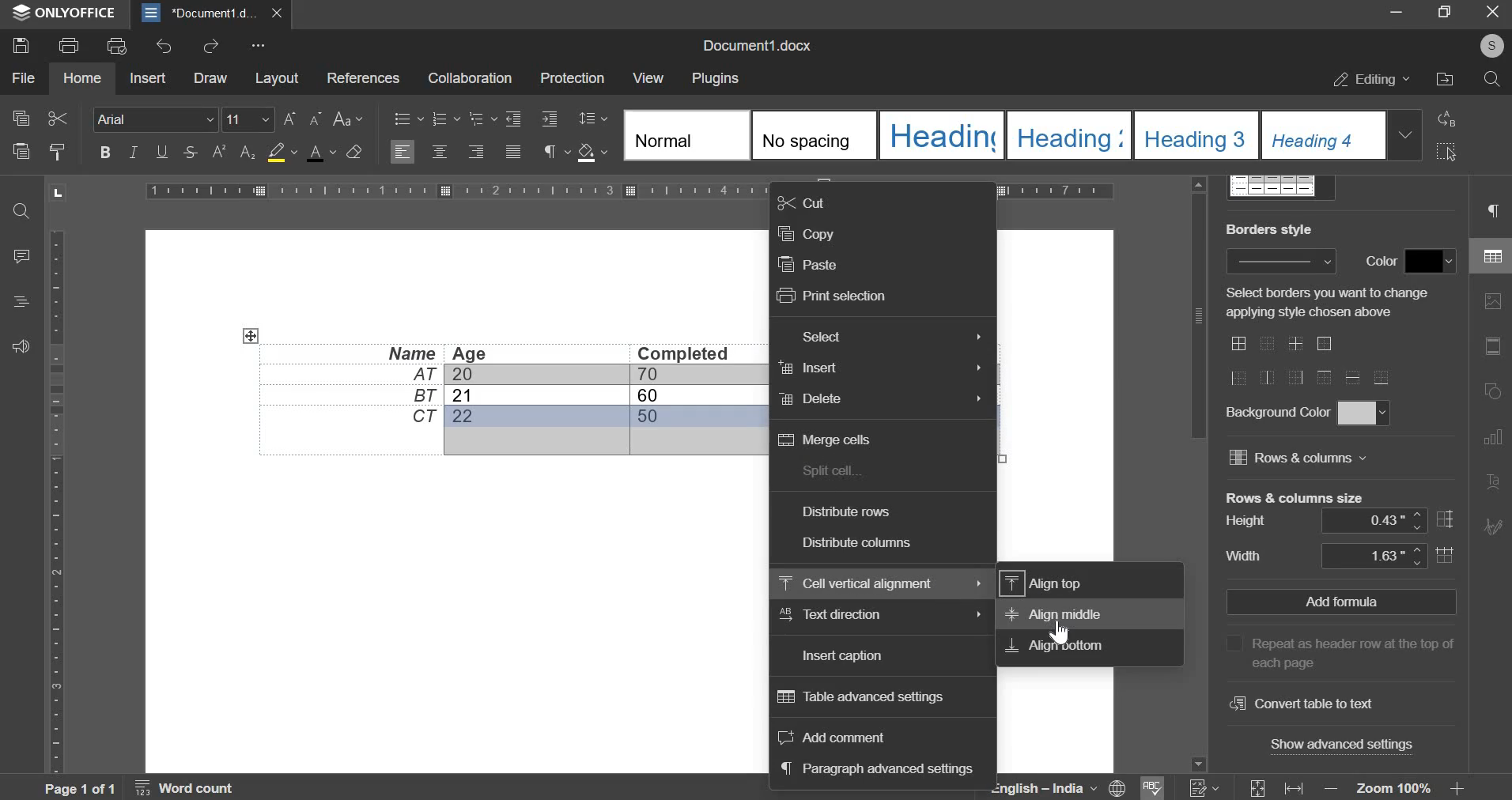 The width and height of the screenshot is (1512, 800). What do you see at coordinates (1277, 263) in the screenshot?
I see `border width` at bounding box center [1277, 263].